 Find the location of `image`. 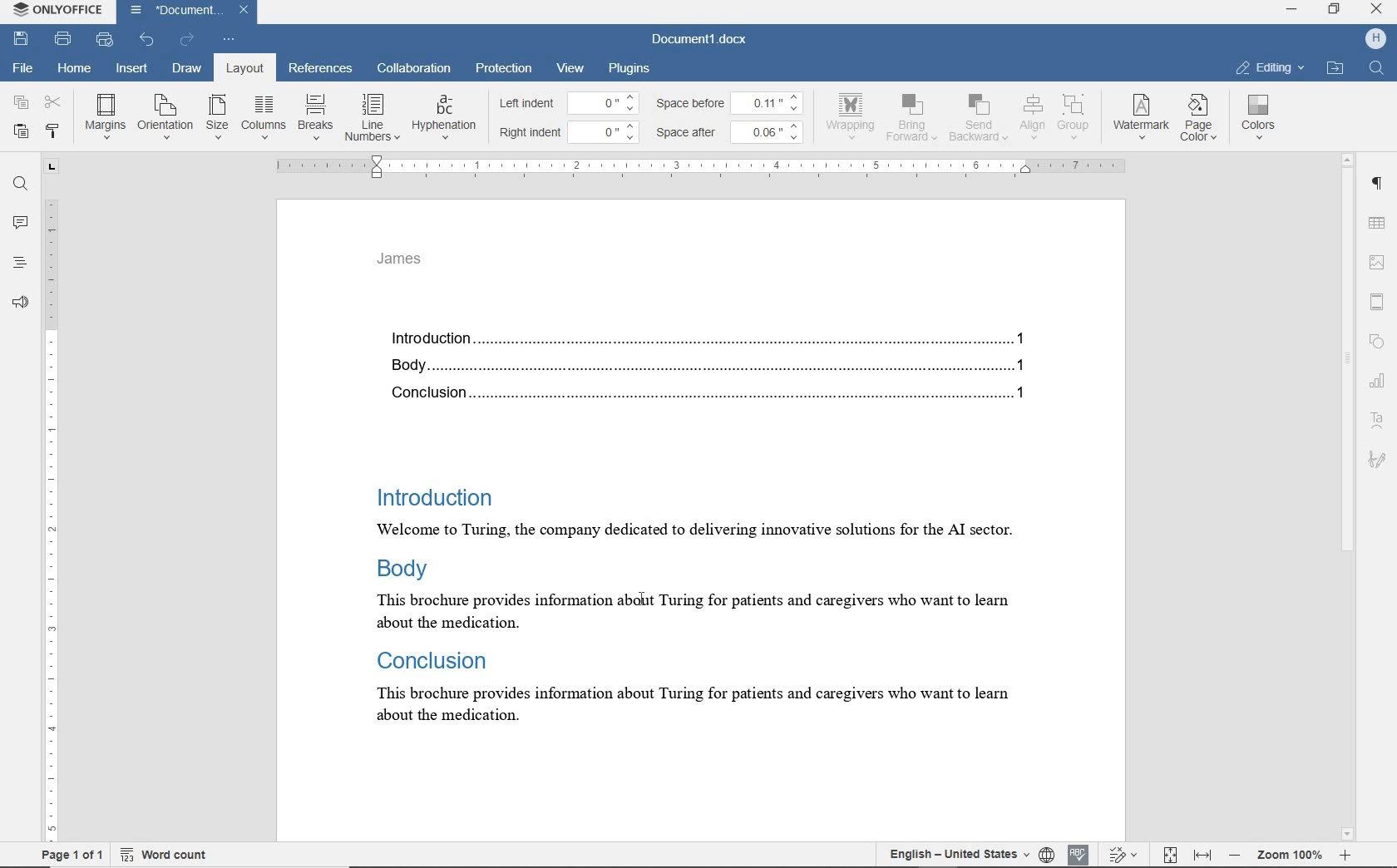

image is located at coordinates (1379, 260).